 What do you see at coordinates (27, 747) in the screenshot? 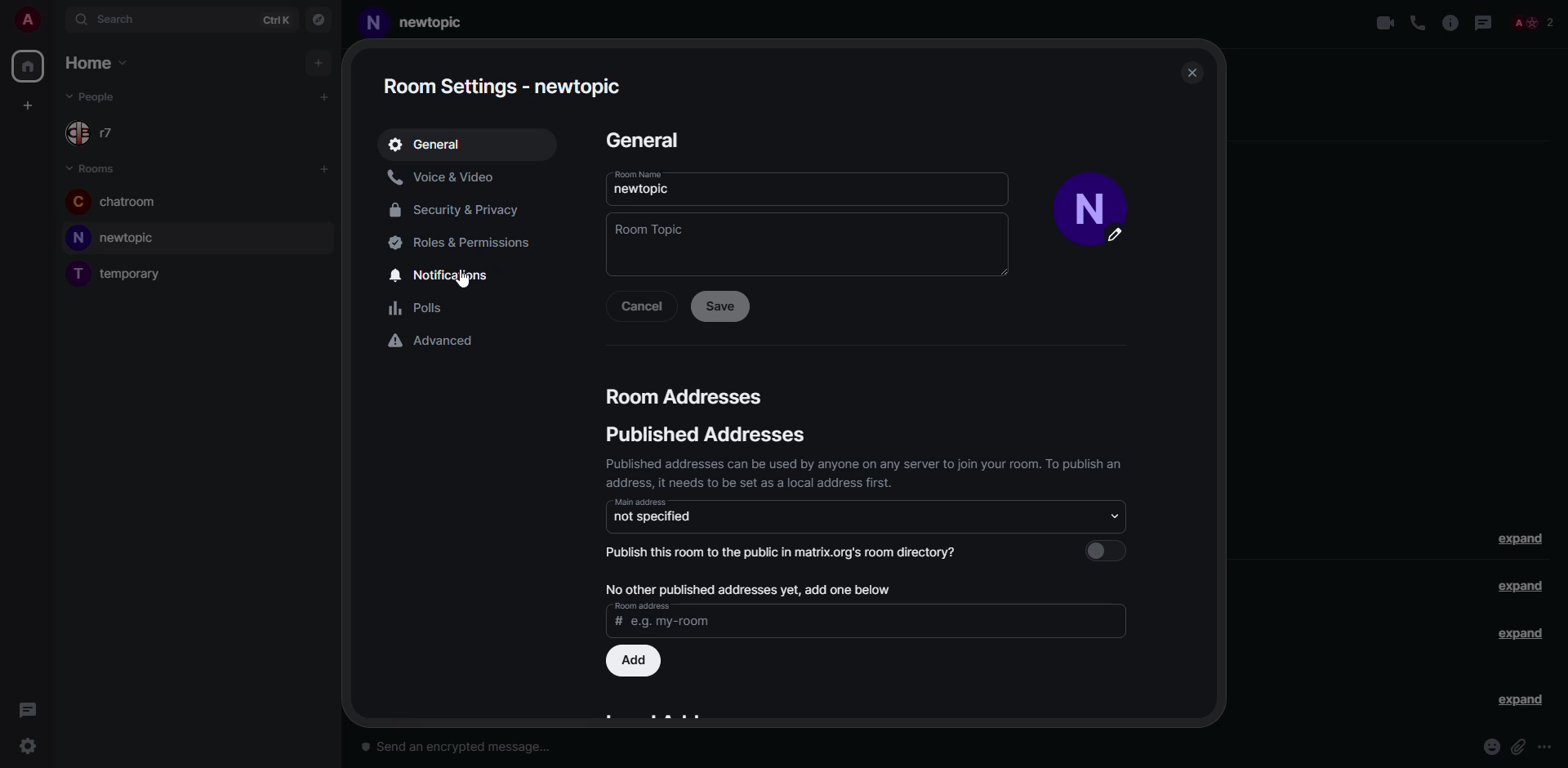
I see `quick settings` at bounding box center [27, 747].